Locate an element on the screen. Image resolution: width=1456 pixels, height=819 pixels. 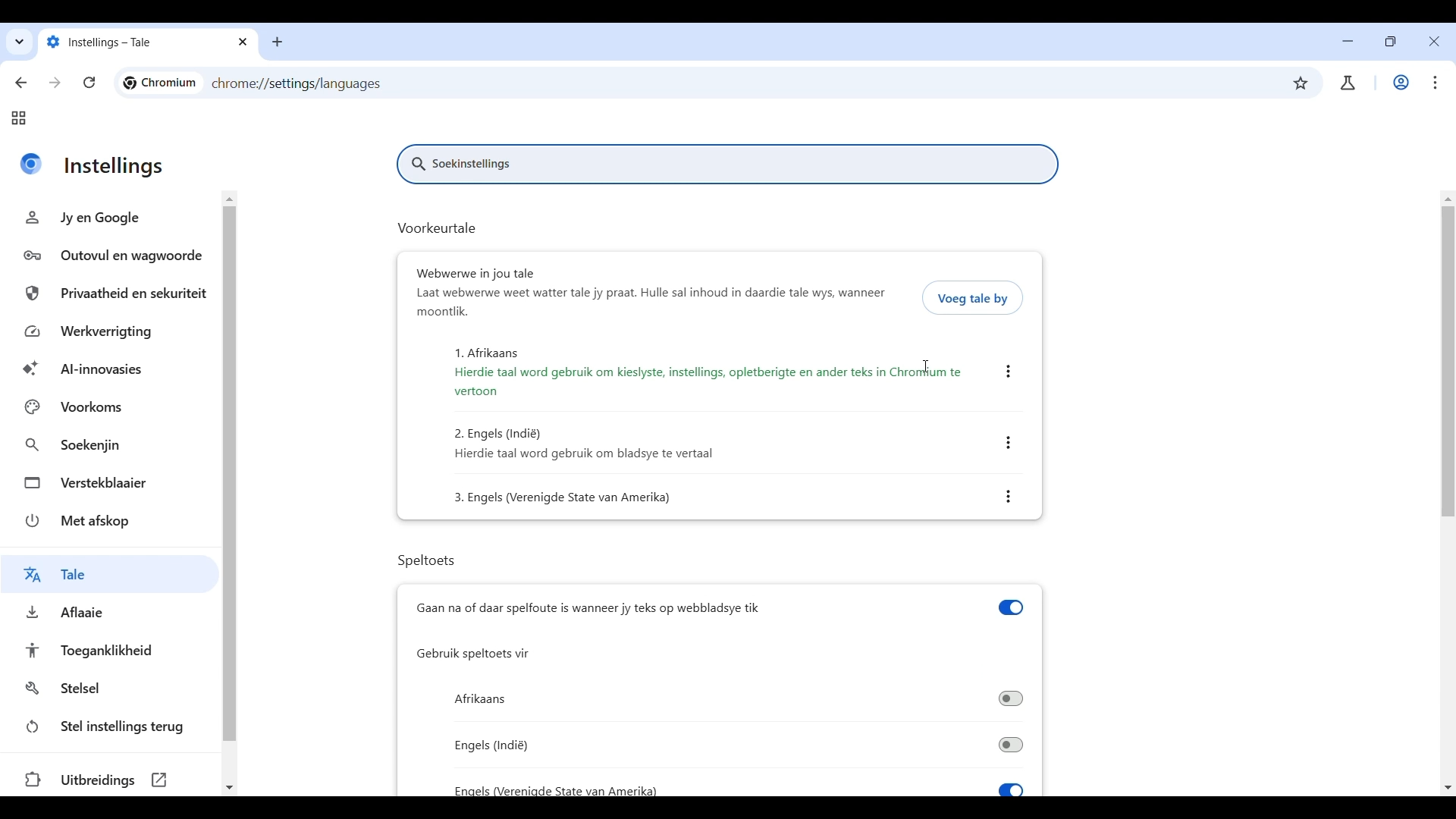
Logo and name of current site is located at coordinates (160, 83).